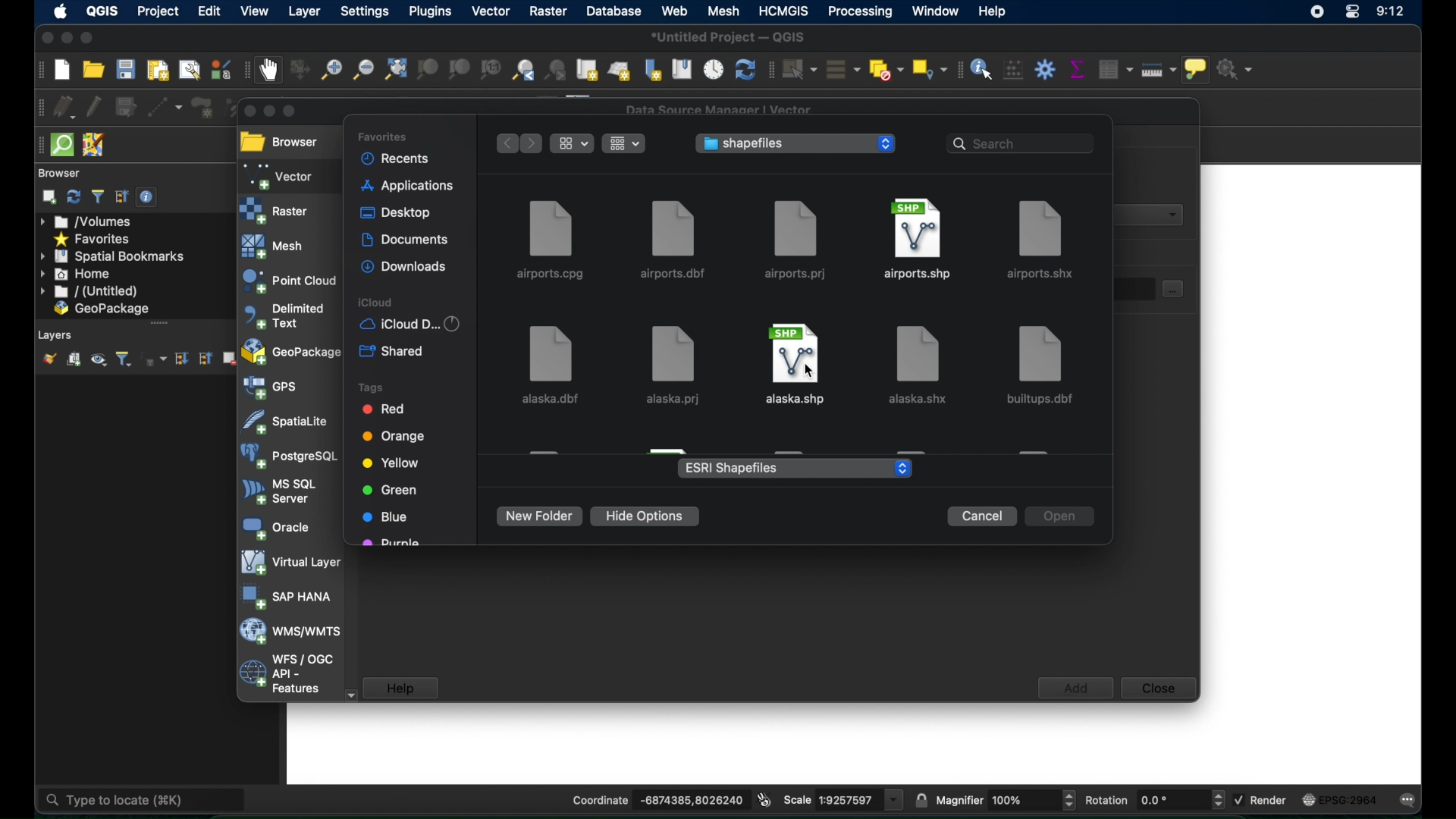  Describe the element at coordinates (61, 70) in the screenshot. I see `new project` at that location.